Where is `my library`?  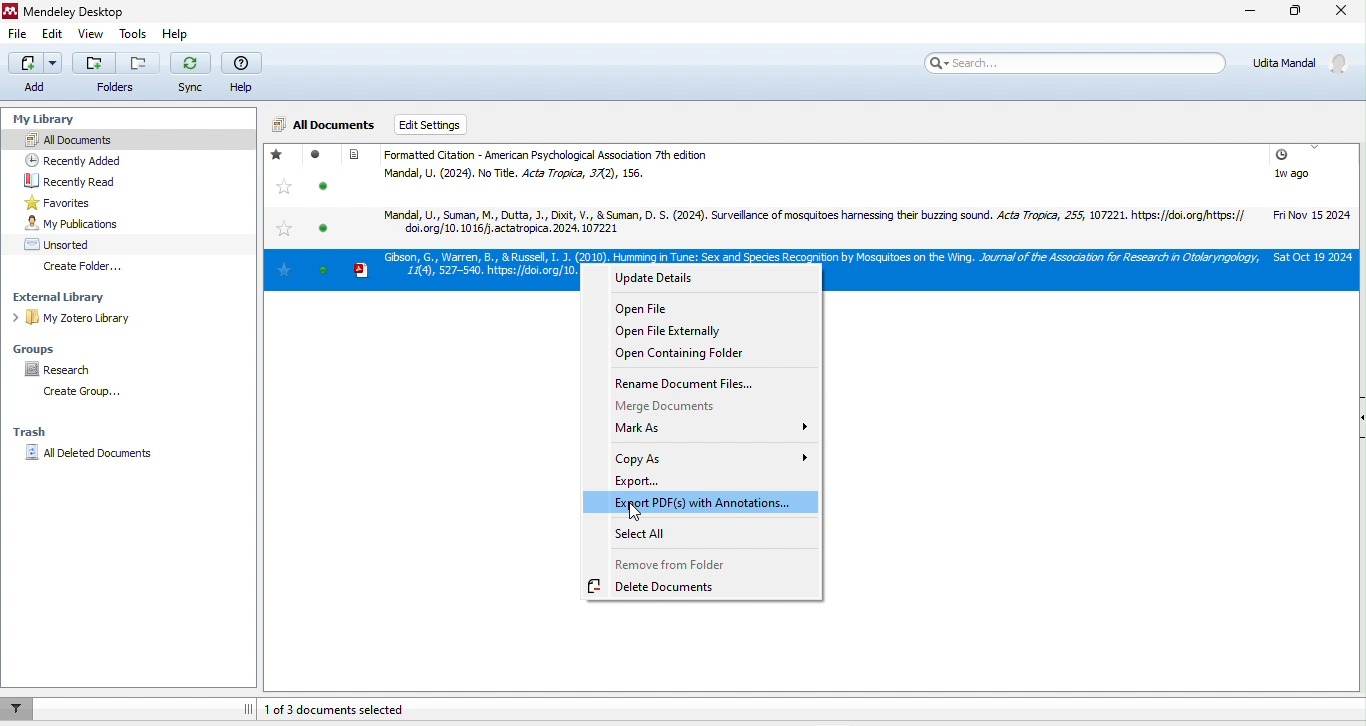 my library is located at coordinates (53, 120).